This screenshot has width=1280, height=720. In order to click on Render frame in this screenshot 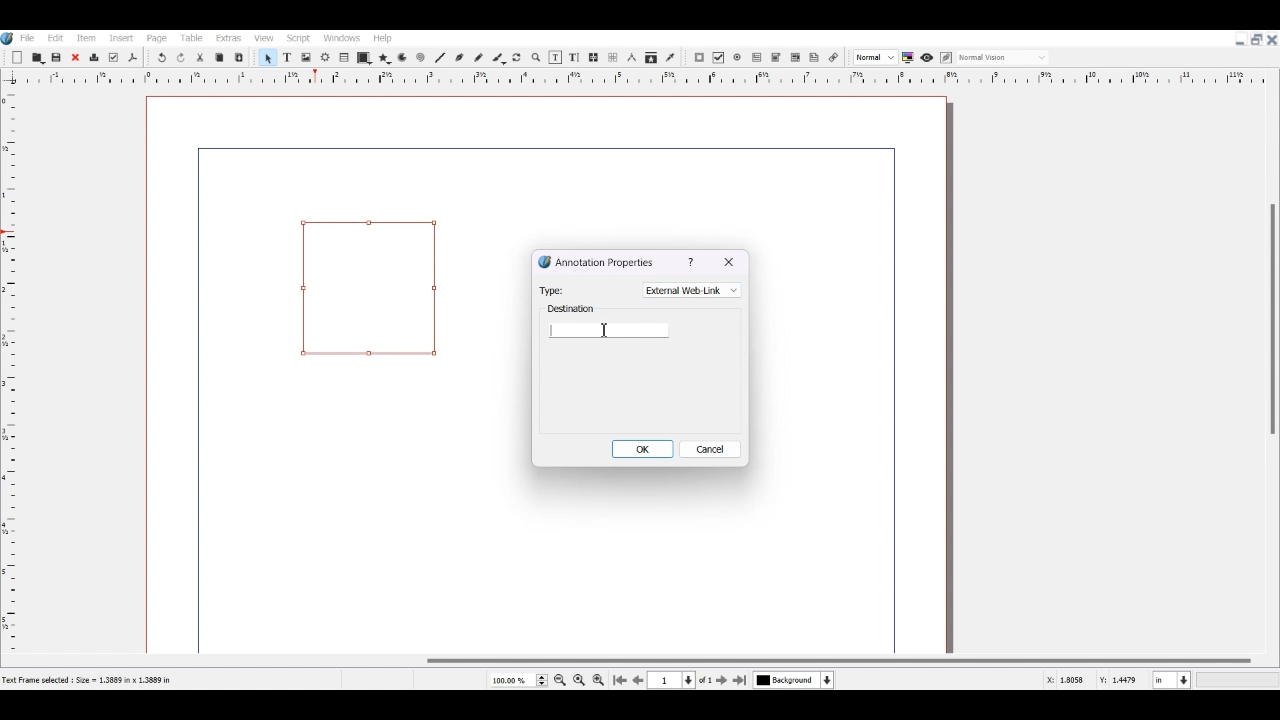, I will do `click(326, 57)`.